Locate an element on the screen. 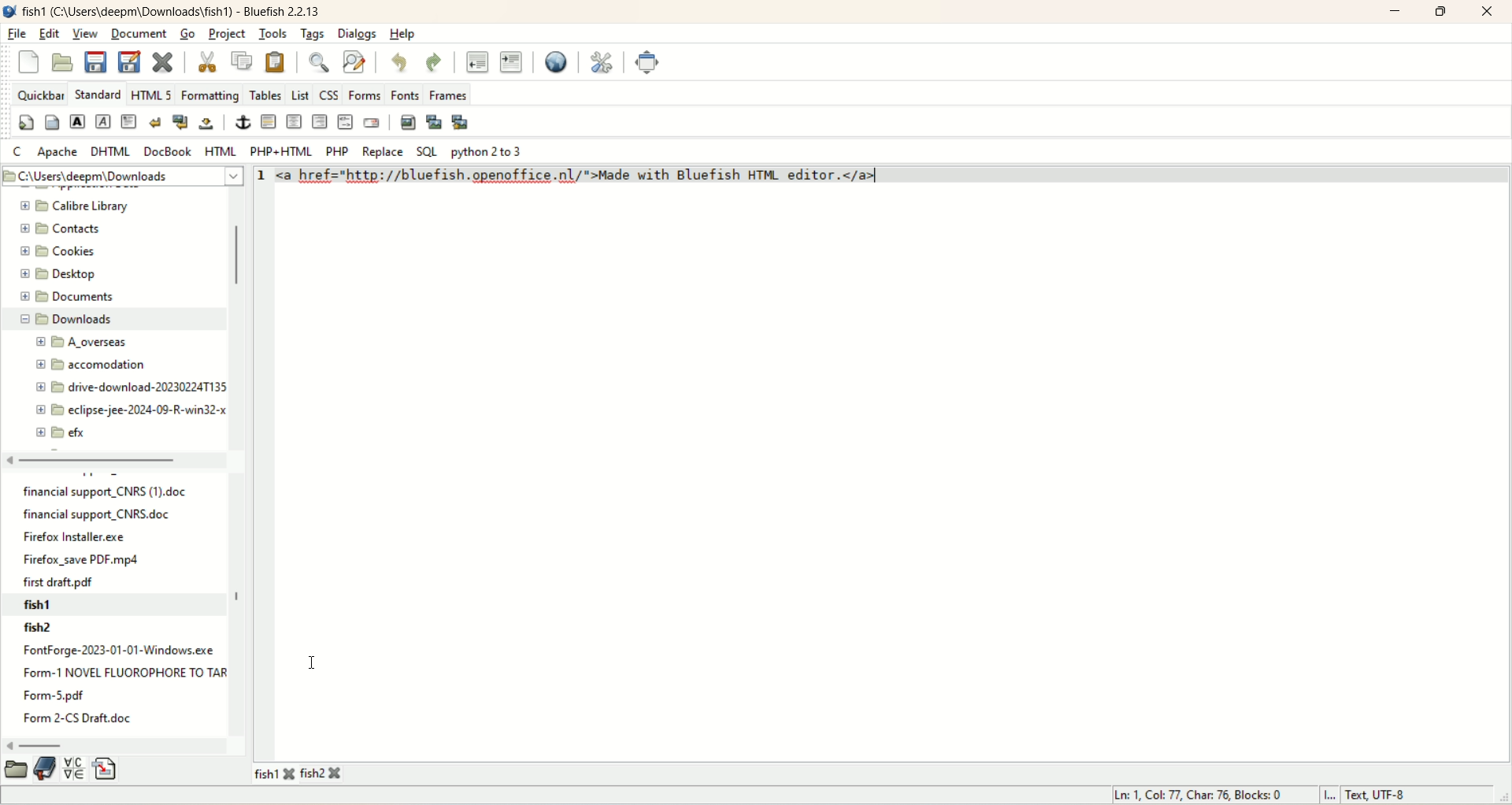 This screenshot has width=1512, height=805. horizontal scroll bar is located at coordinates (117, 745).